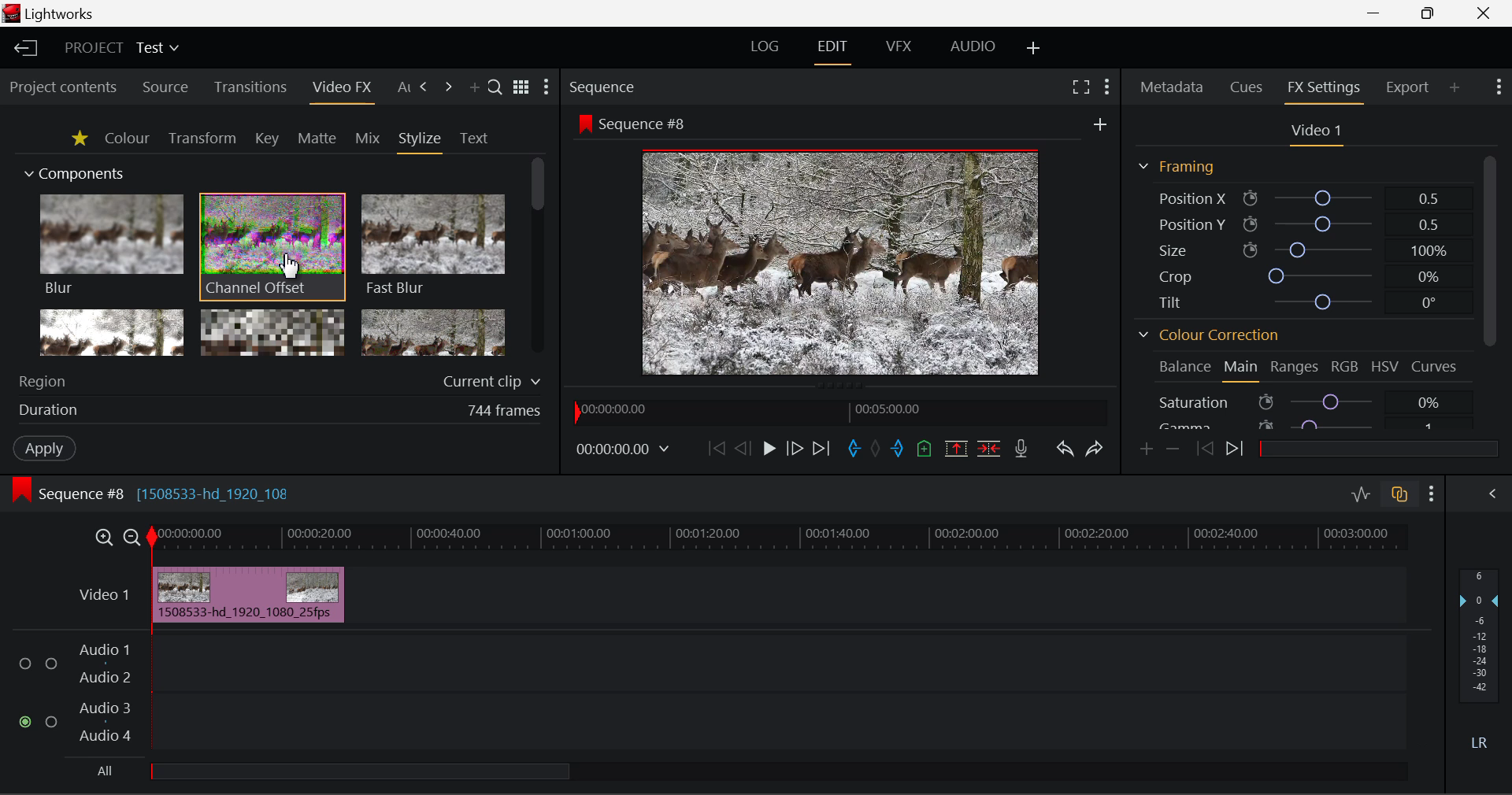  Describe the element at coordinates (272, 248) in the screenshot. I see `Channel Offset` at that location.